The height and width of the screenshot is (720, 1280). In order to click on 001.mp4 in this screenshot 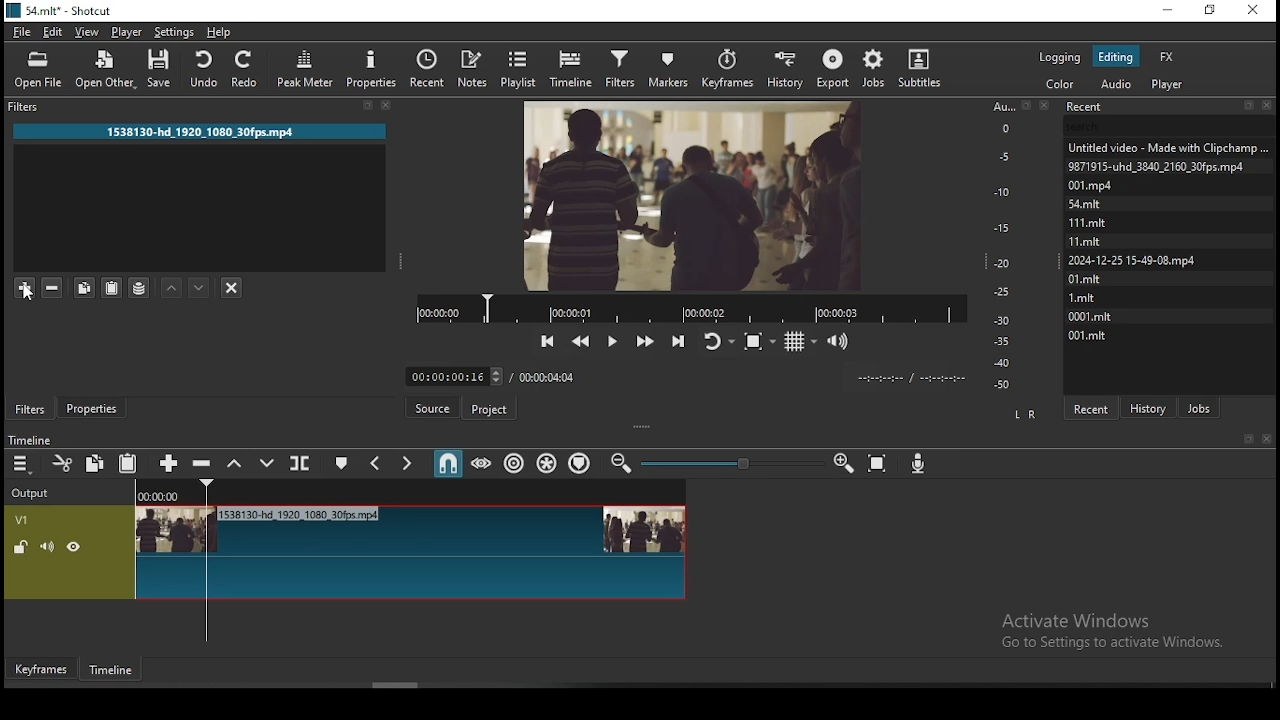, I will do `click(1112, 185)`.